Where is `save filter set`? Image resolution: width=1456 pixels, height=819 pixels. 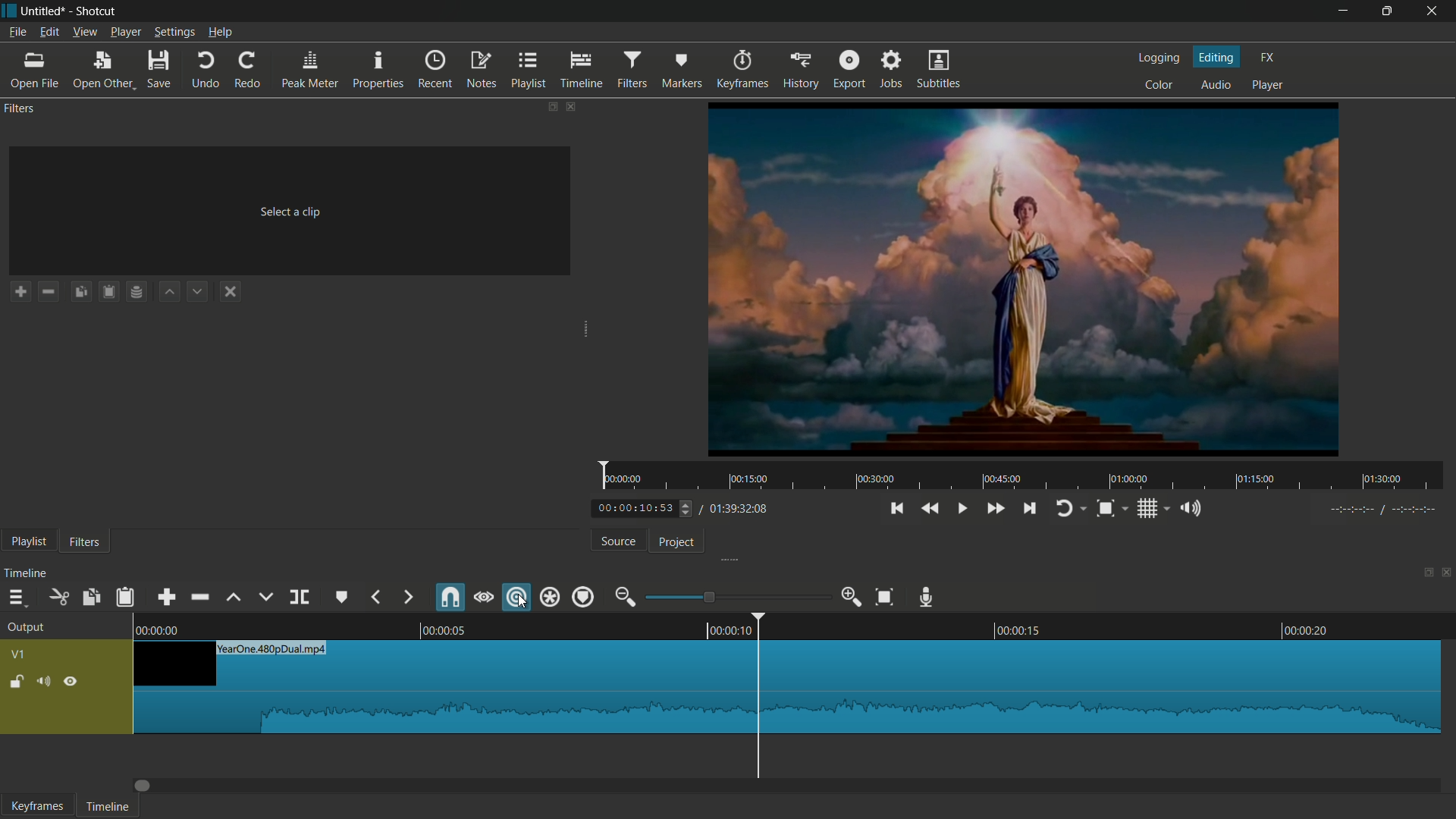
save filter set is located at coordinates (136, 290).